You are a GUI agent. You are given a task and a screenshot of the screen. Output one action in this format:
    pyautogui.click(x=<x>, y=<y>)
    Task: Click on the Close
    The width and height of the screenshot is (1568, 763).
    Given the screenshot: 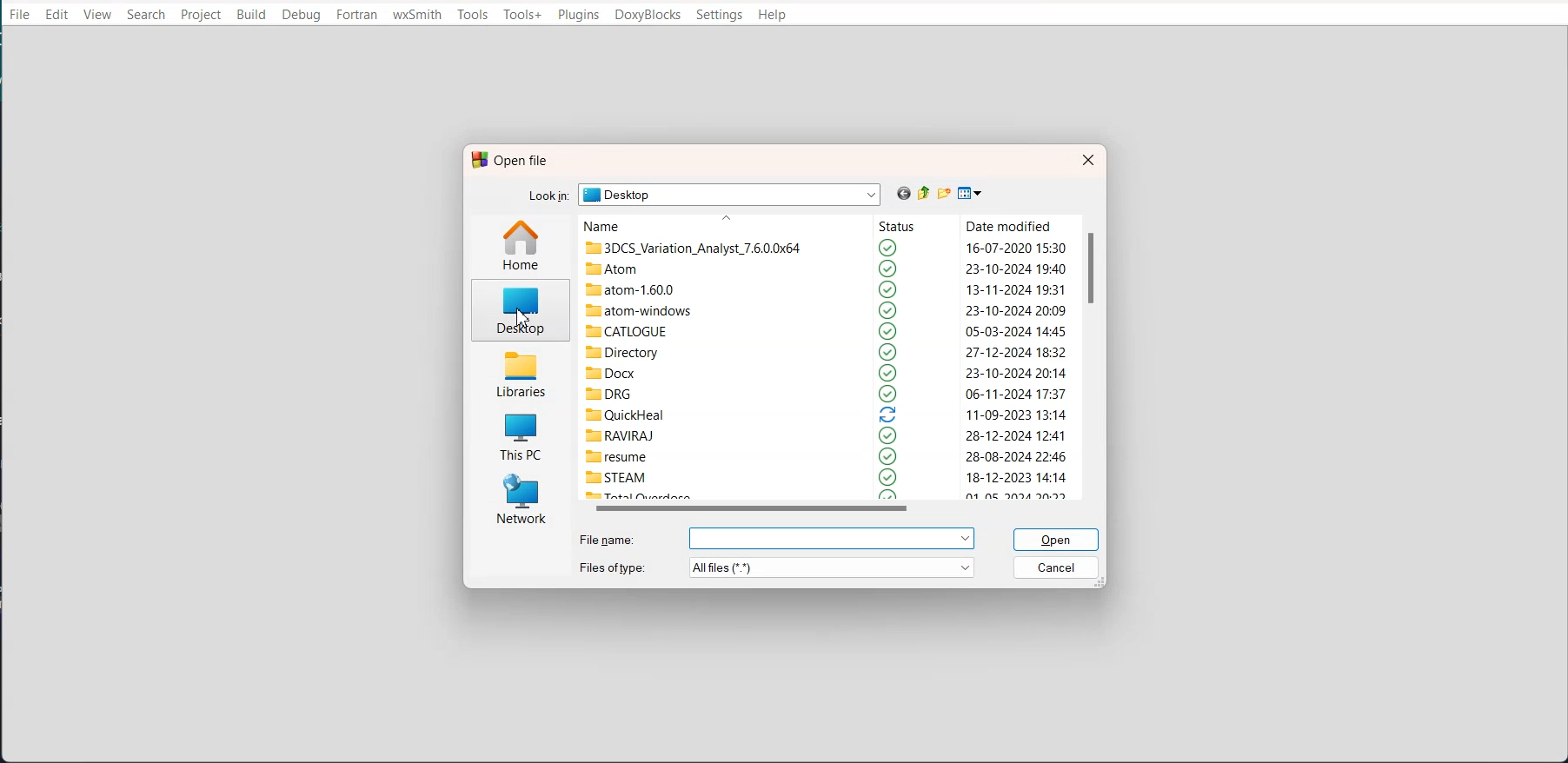 What is the action you would take?
    pyautogui.click(x=1086, y=159)
    